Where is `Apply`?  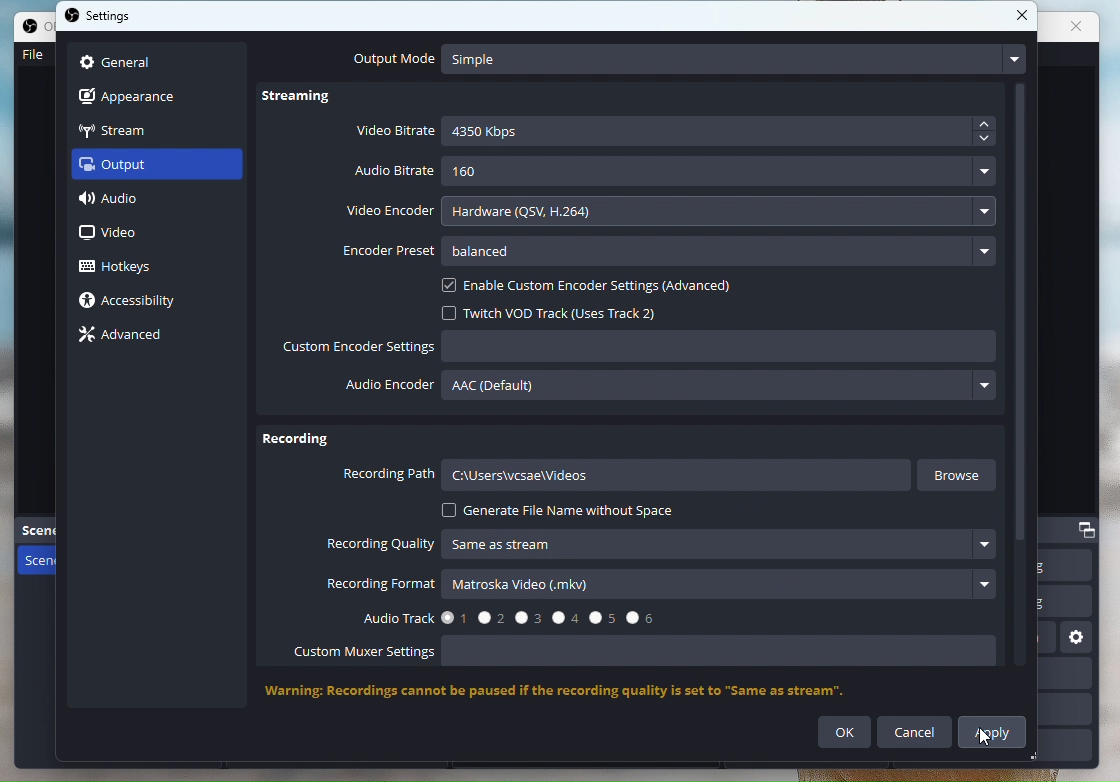
Apply is located at coordinates (998, 735).